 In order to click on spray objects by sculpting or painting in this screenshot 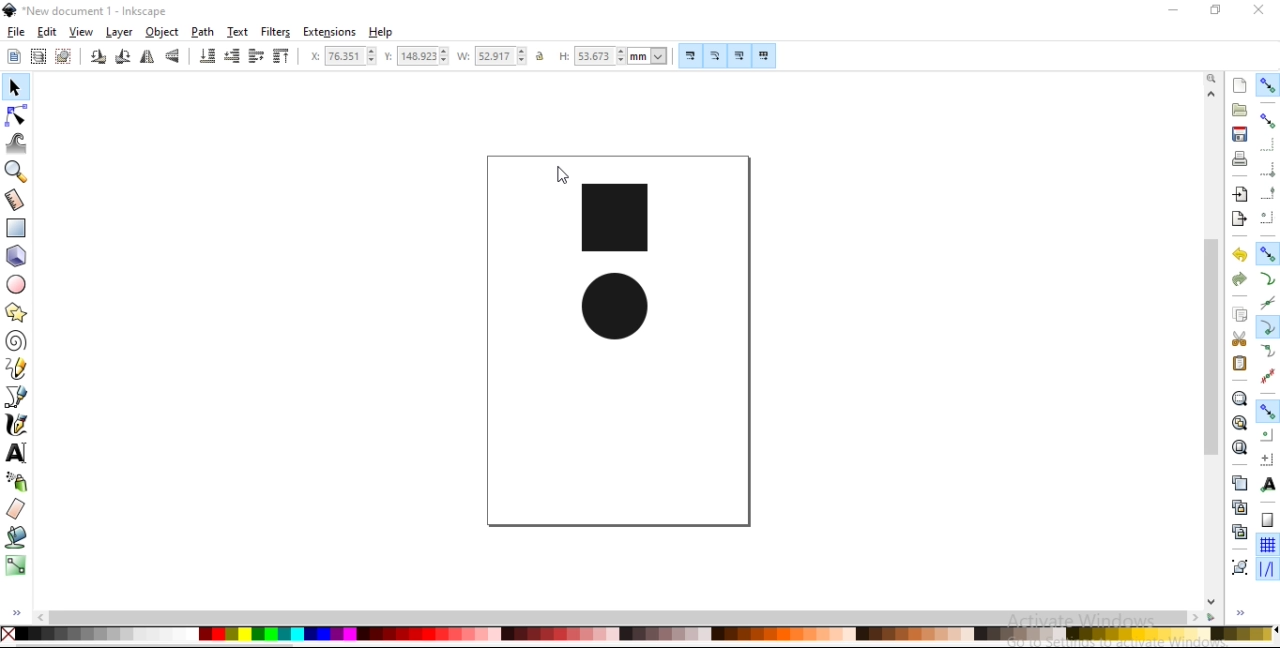, I will do `click(16, 482)`.